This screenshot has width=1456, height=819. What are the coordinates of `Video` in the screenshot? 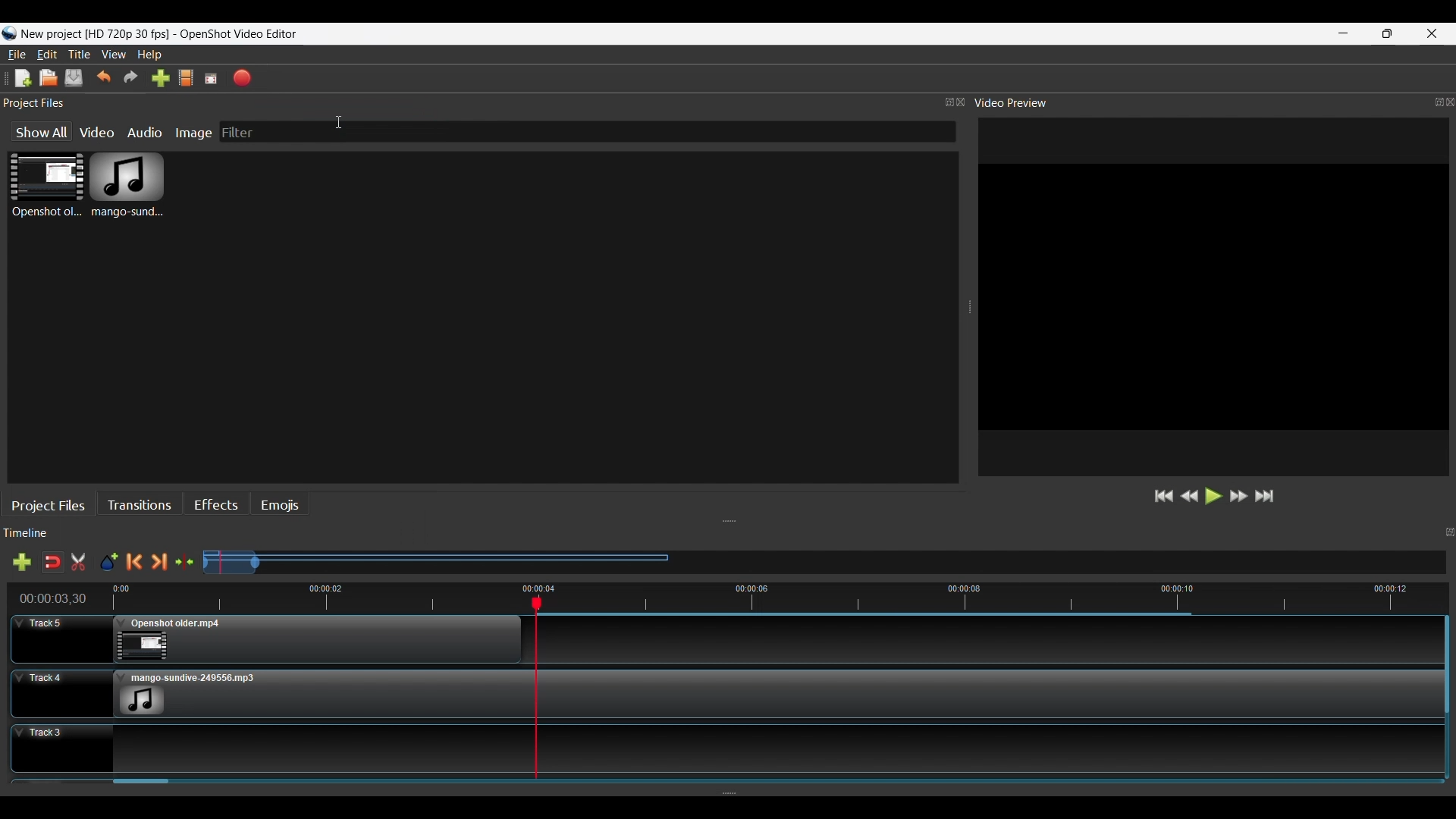 It's located at (97, 132).